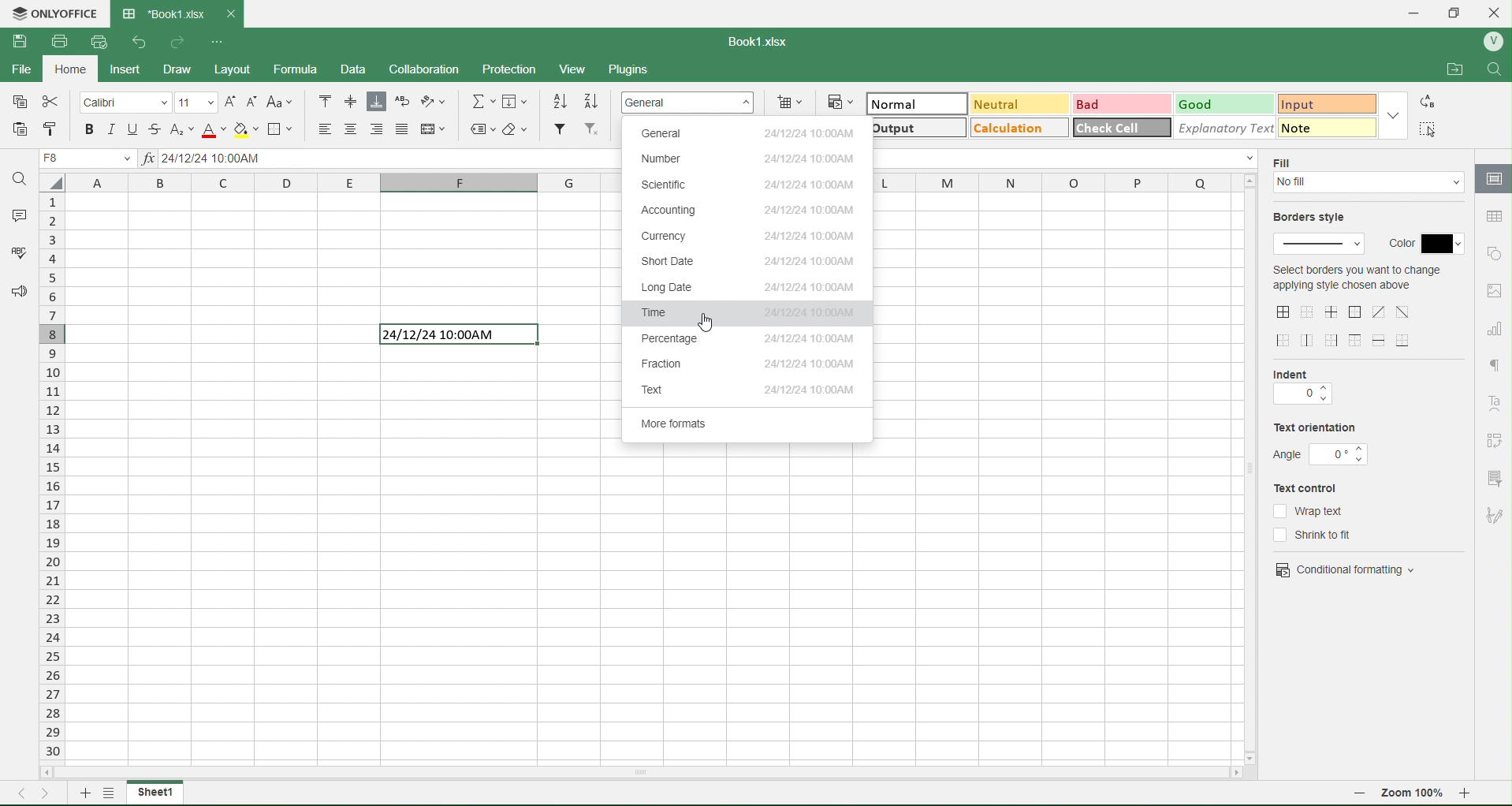  What do you see at coordinates (217, 39) in the screenshot?
I see `Customize Quick Access Toolbar` at bounding box center [217, 39].